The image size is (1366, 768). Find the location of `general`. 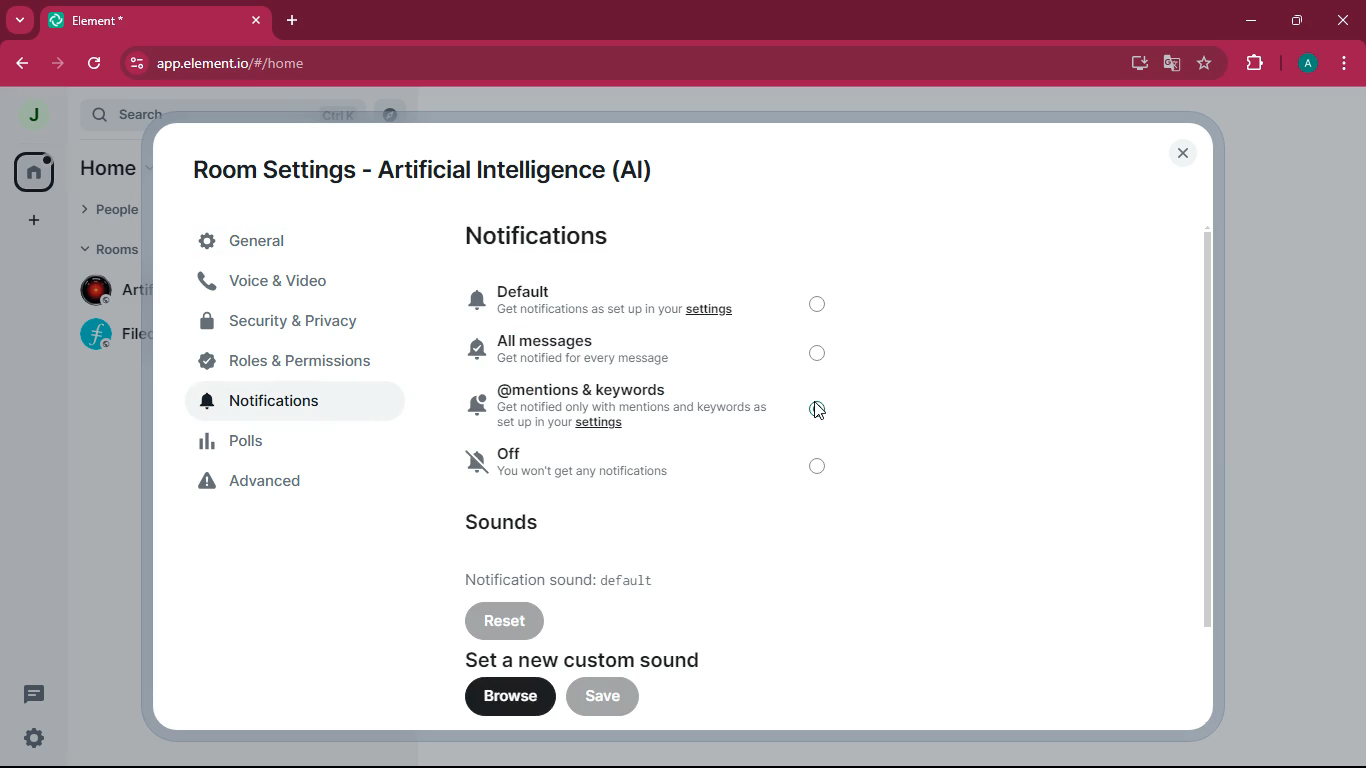

general is located at coordinates (288, 243).